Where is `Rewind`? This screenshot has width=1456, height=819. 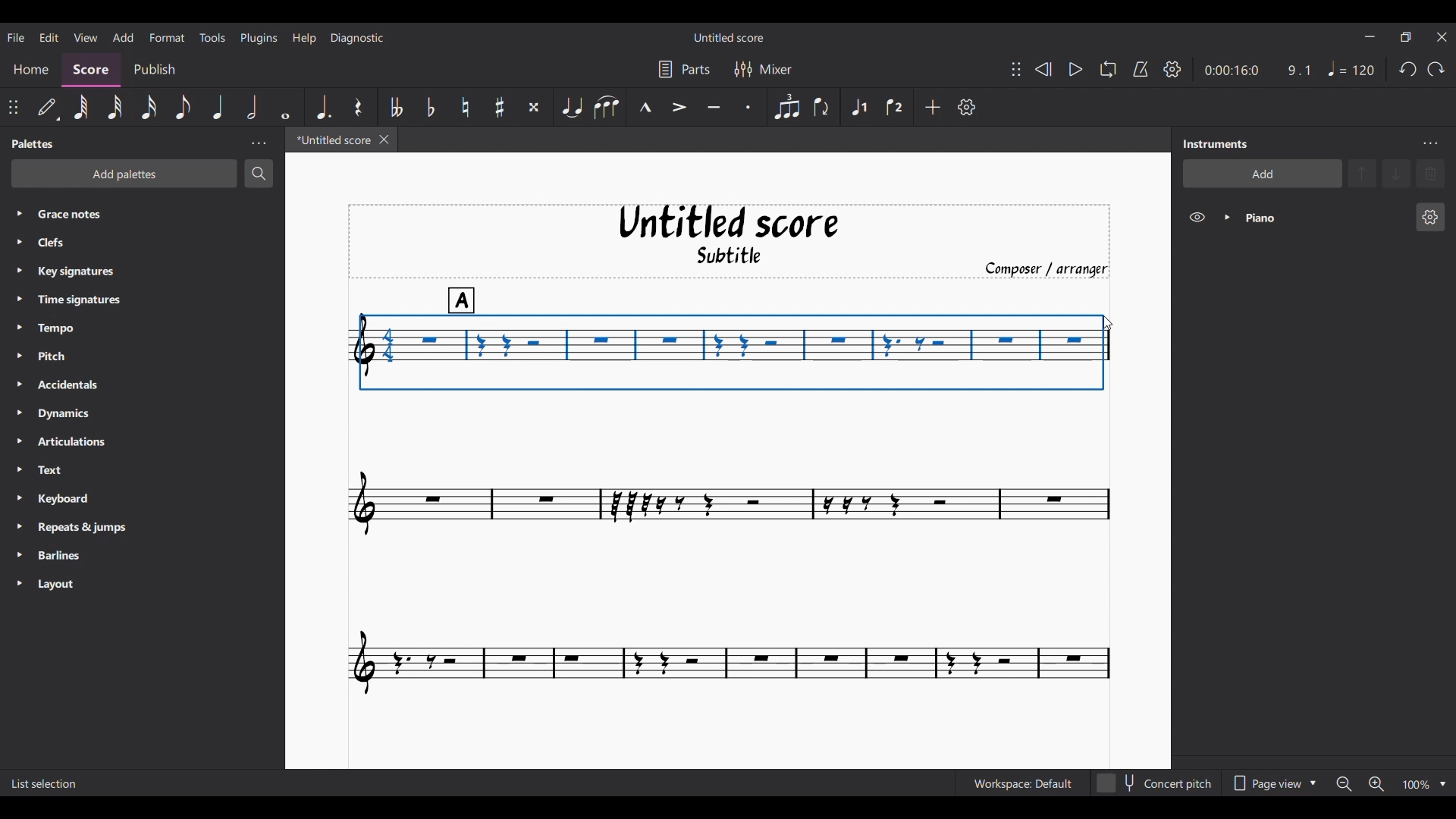
Rewind is located at coordinates (1043, 69).